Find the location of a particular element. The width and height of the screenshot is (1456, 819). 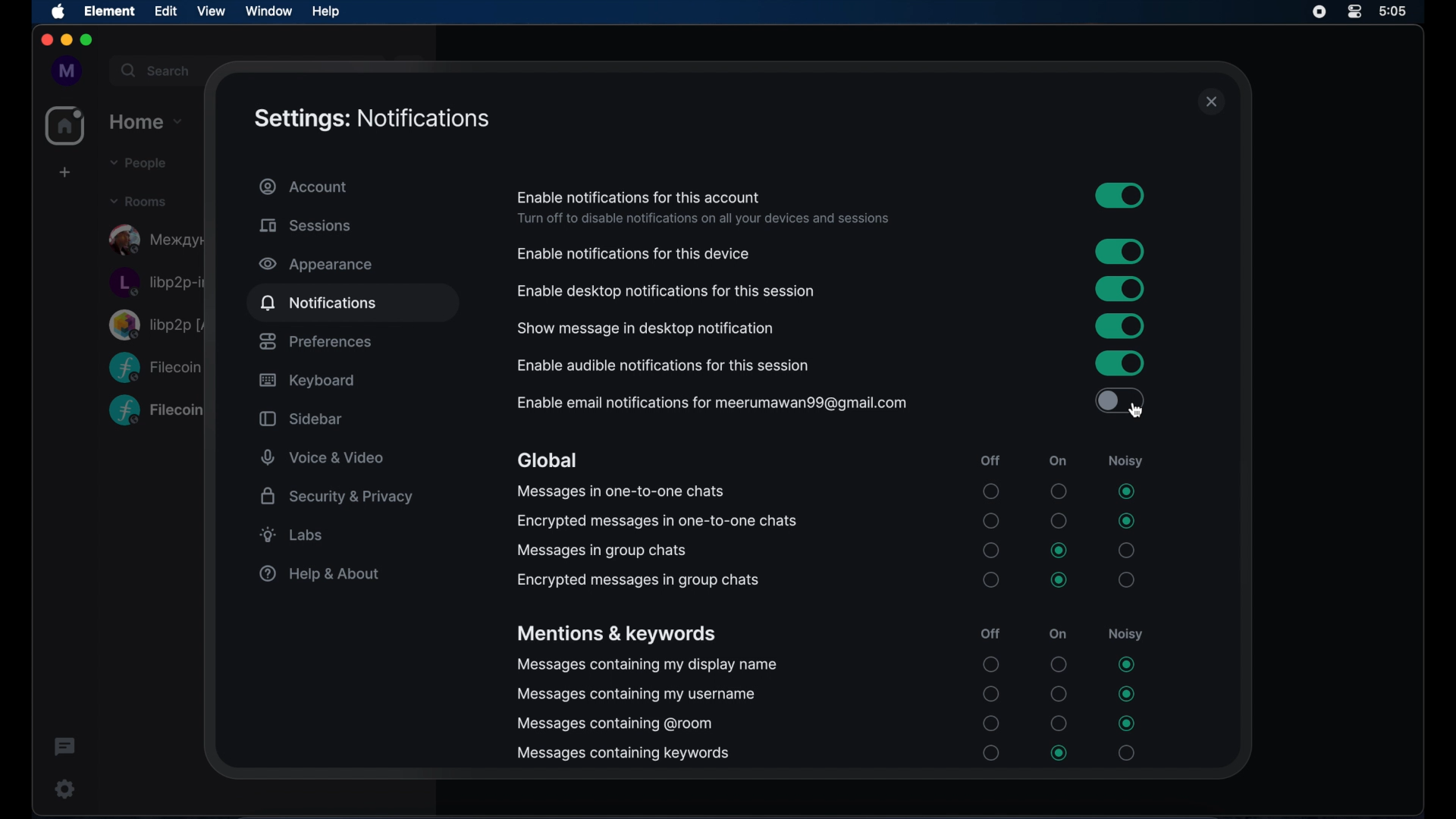

voice and video is located at coordinates (323, 458).